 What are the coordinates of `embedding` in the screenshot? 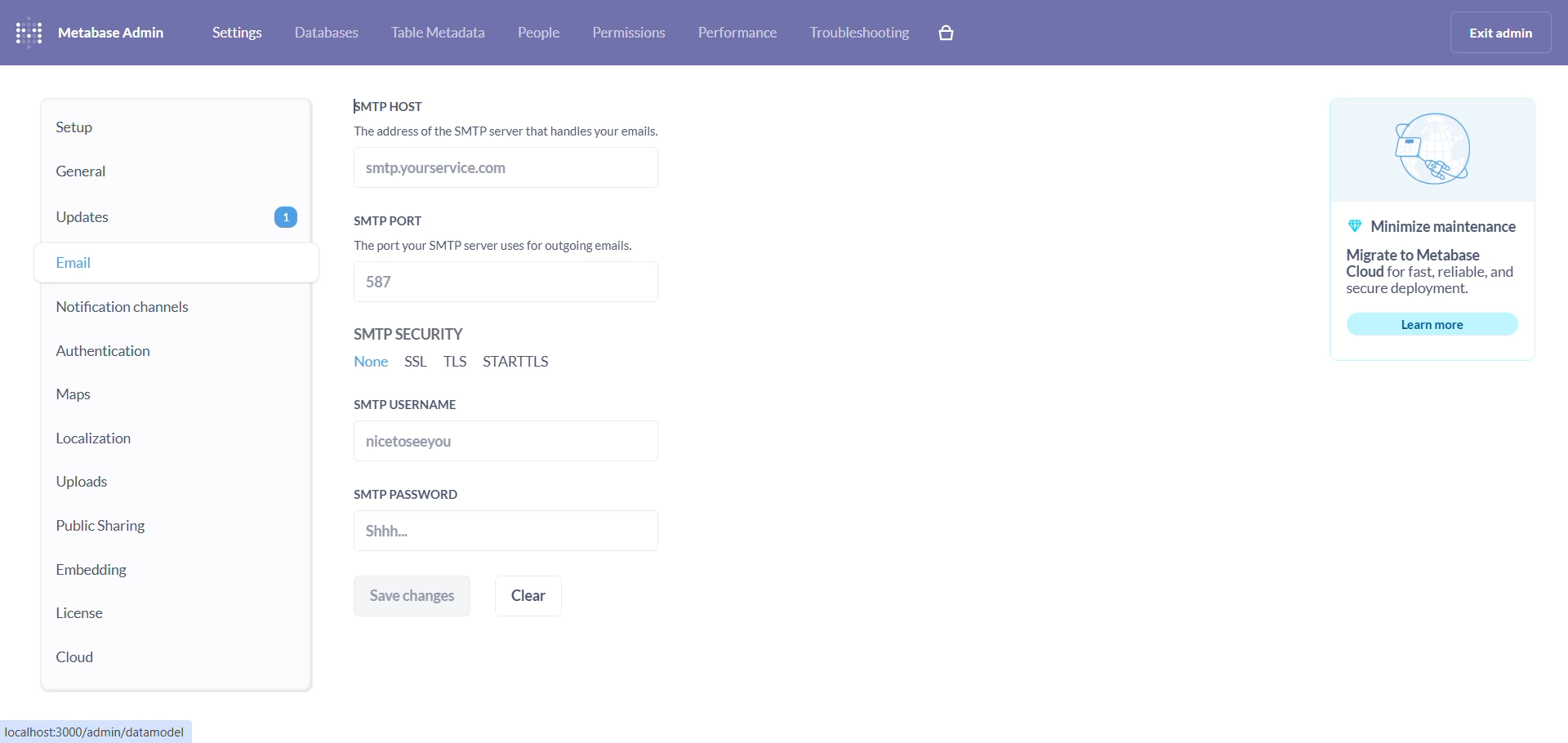 It's located at (150, 574).